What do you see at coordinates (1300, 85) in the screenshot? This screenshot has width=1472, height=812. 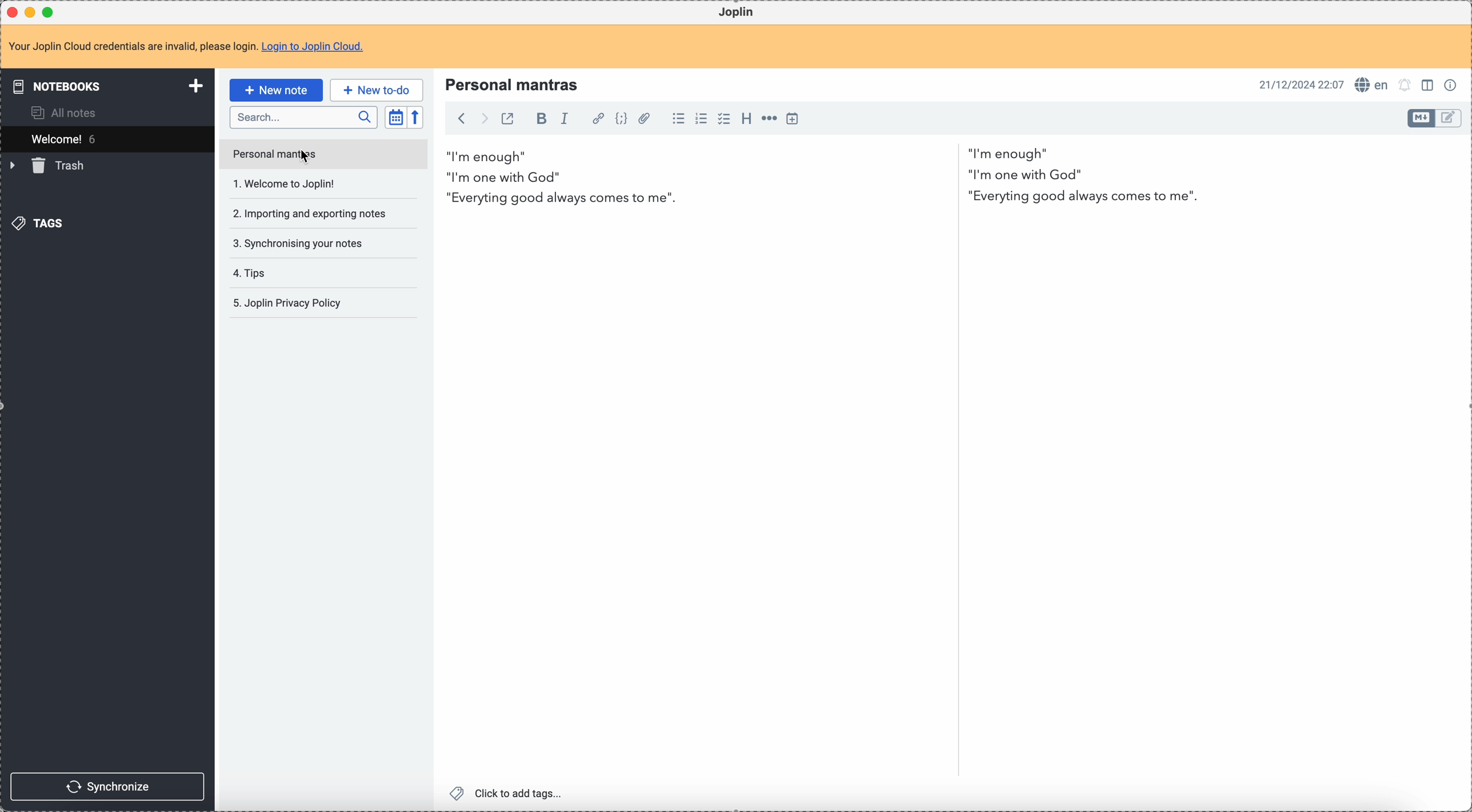 I see `date and hour` at bounding box center [1300, 85].